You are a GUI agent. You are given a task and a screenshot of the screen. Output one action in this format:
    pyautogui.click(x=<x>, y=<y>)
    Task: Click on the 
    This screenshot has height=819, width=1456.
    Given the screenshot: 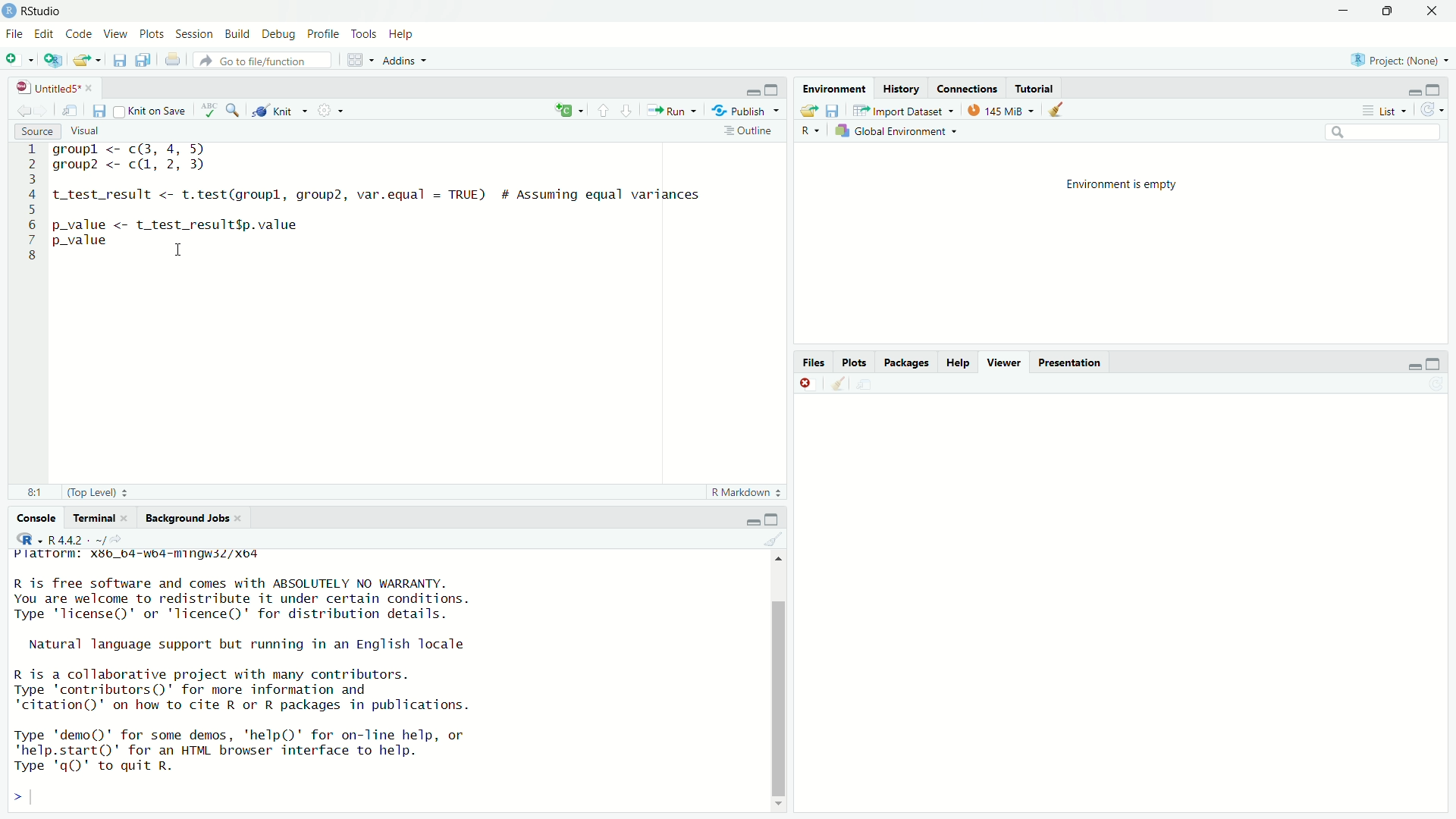 What is the action you would take?
    pyautogui.click(x=811, y=131)
    